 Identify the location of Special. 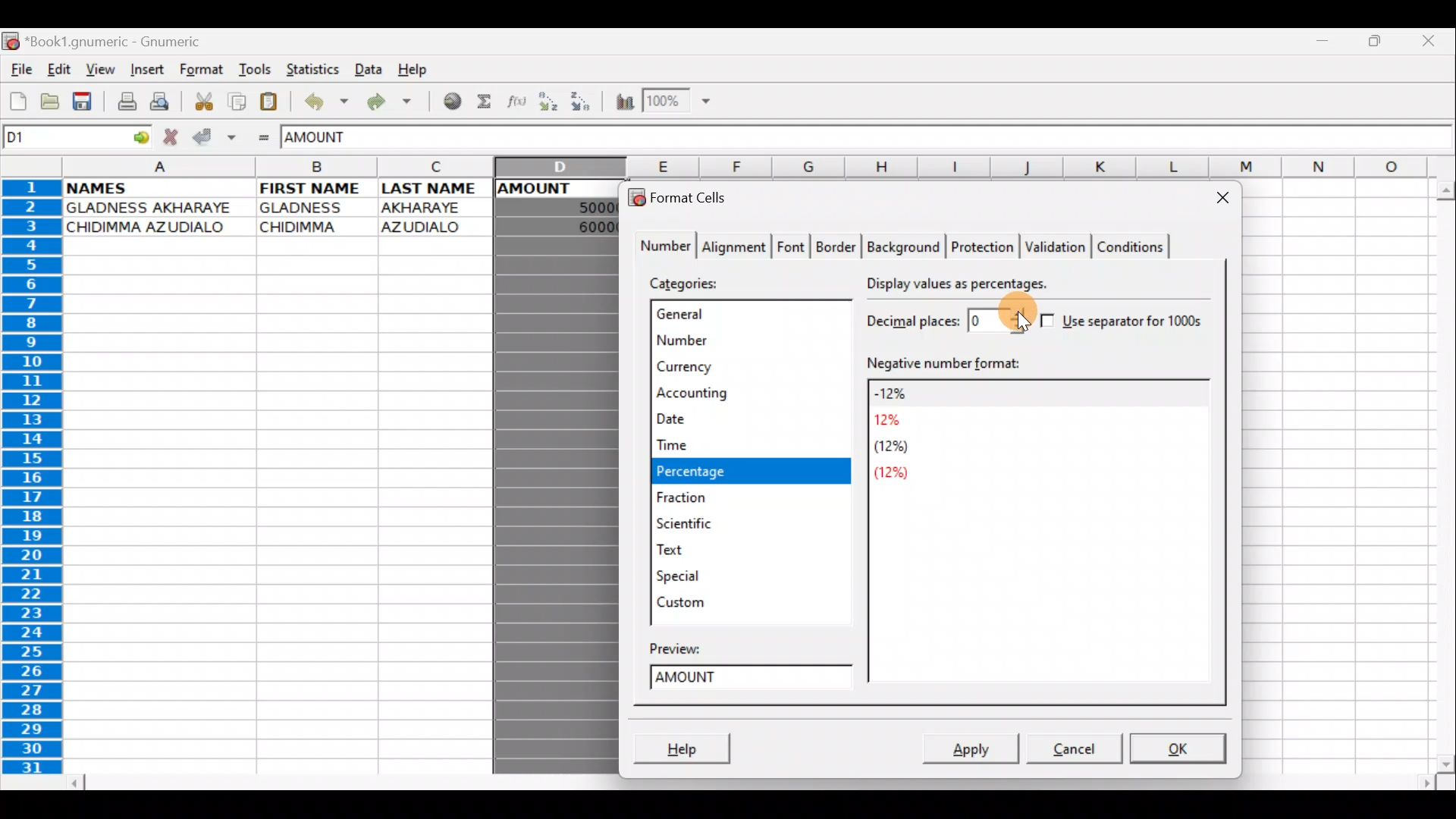
(686, 576).